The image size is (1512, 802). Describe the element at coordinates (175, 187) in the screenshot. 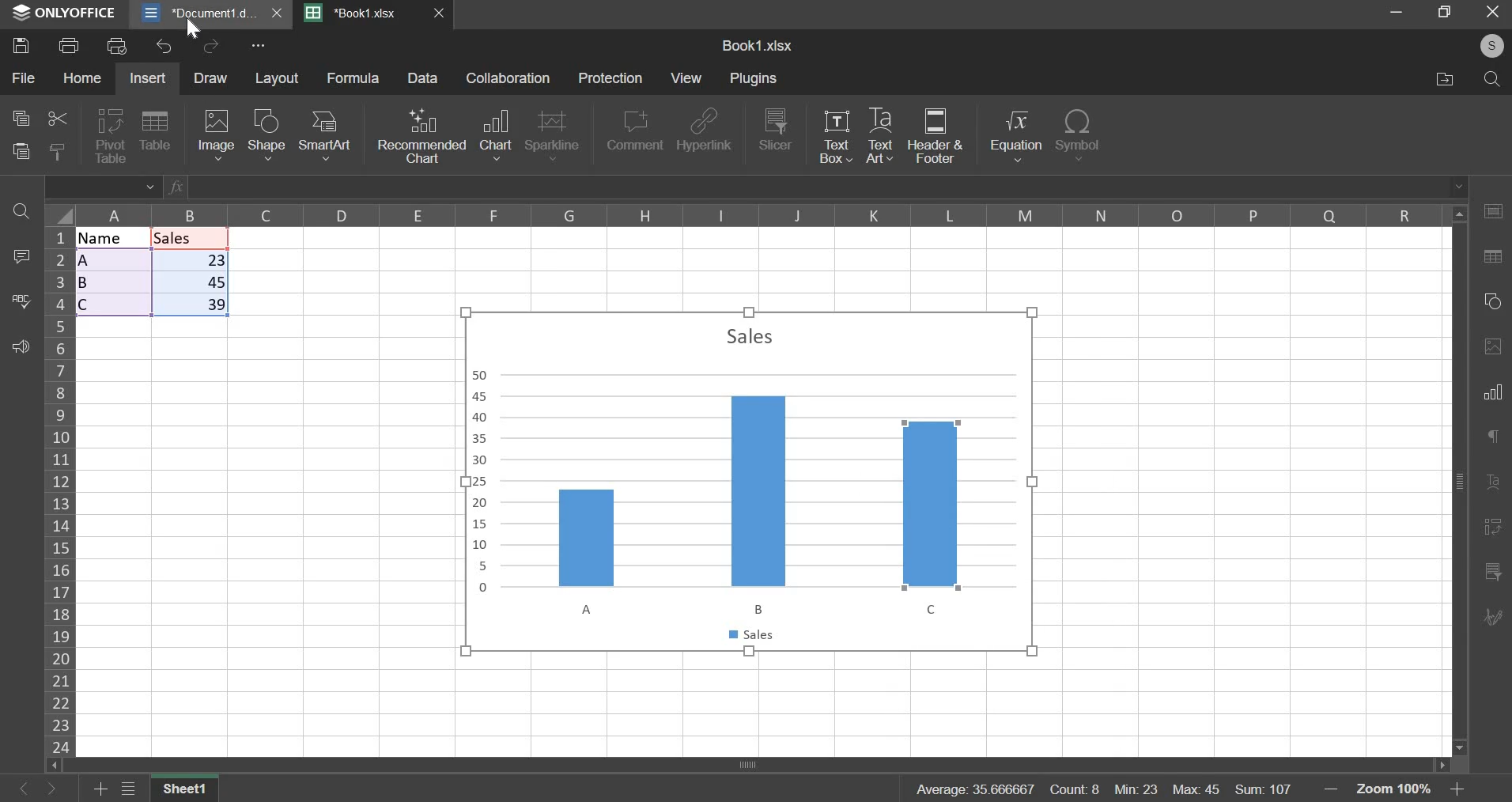

I see `Formula` at that location.